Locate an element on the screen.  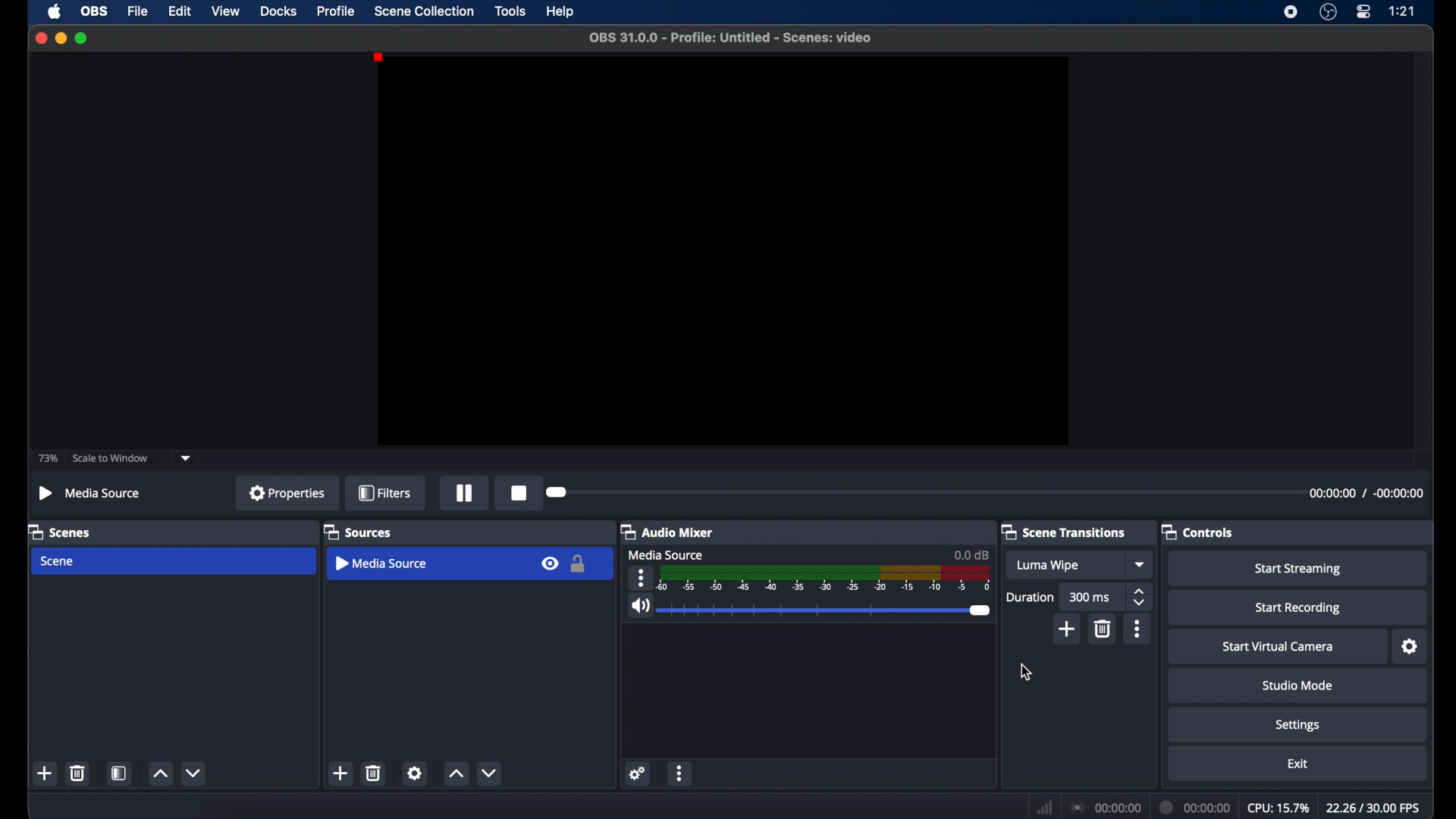
help is located at coordinates (561, 13).